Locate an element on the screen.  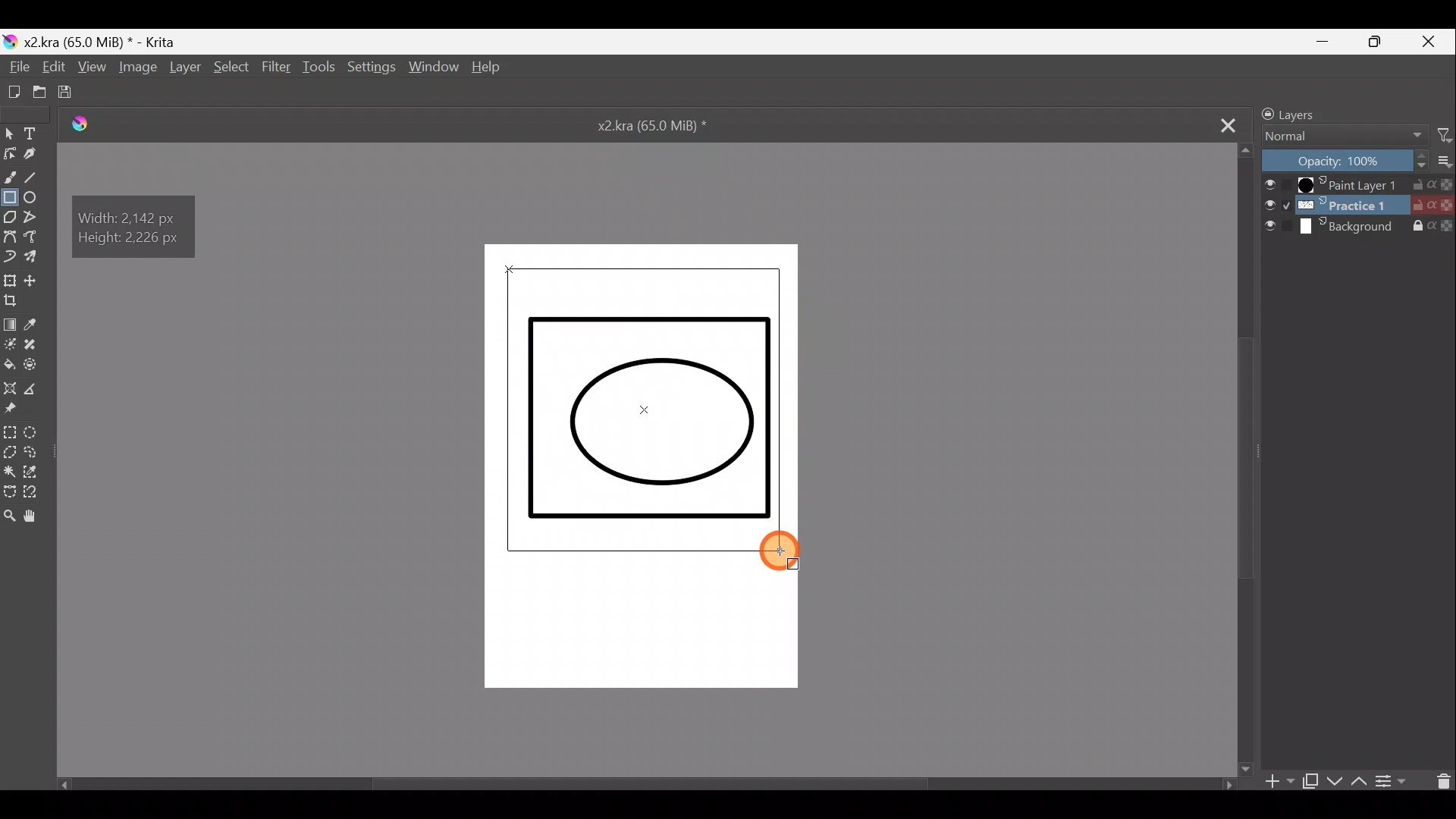
Practice 1 is located at coordinates (1359, 207).